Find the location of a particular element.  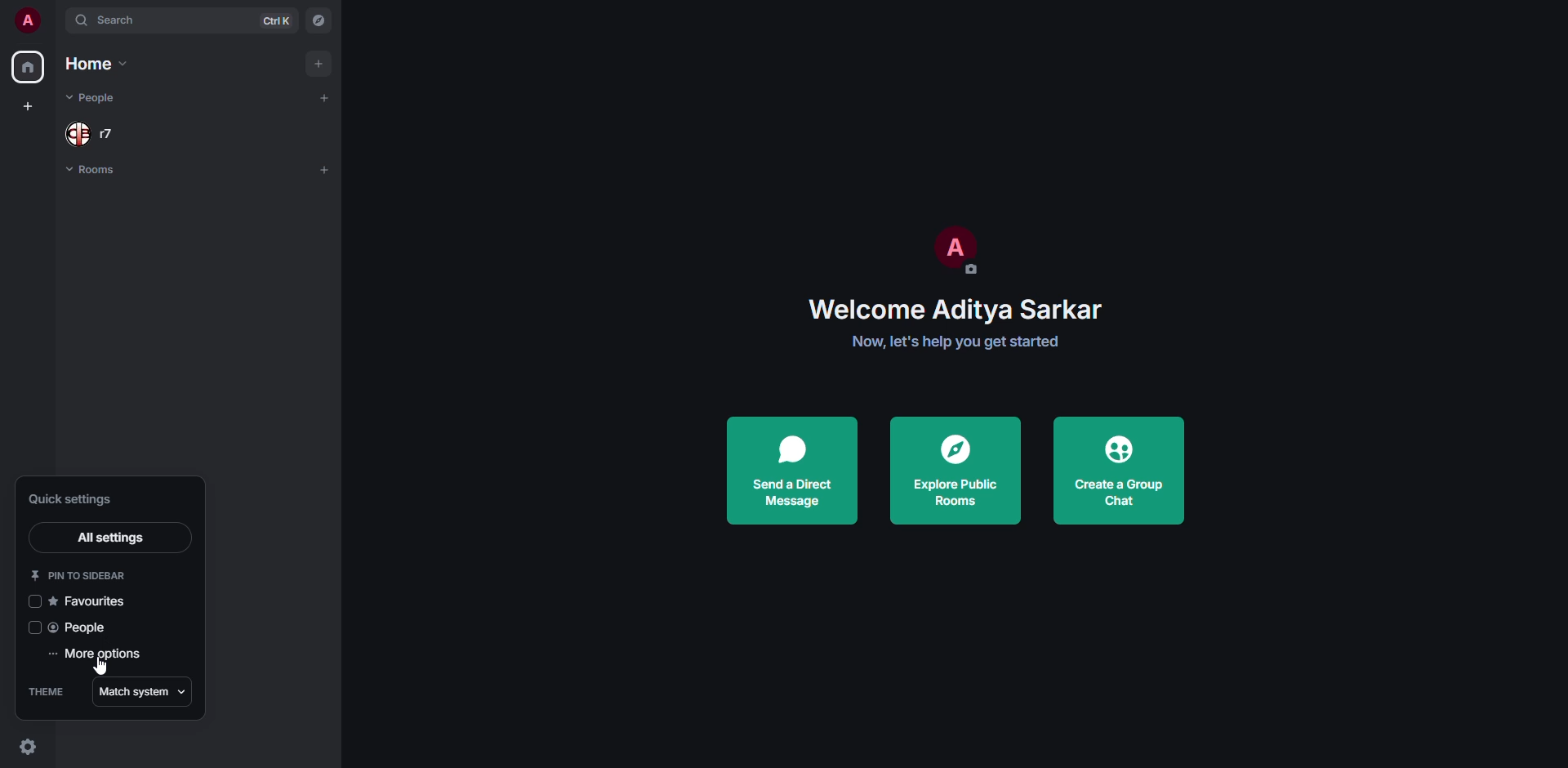

profile is located at coordinates (28, 20).